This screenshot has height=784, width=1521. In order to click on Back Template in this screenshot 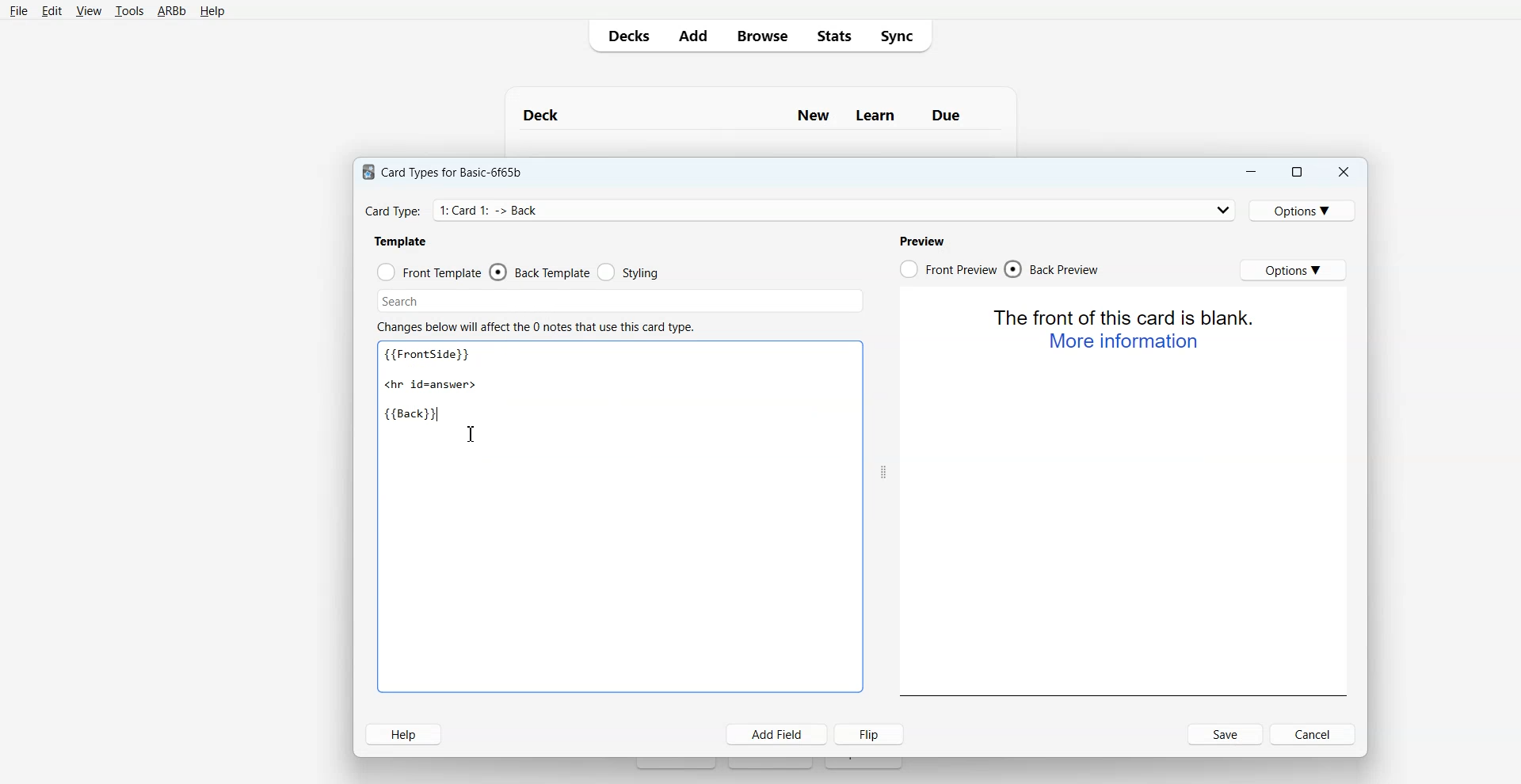, I will do `click(539, 272)`.